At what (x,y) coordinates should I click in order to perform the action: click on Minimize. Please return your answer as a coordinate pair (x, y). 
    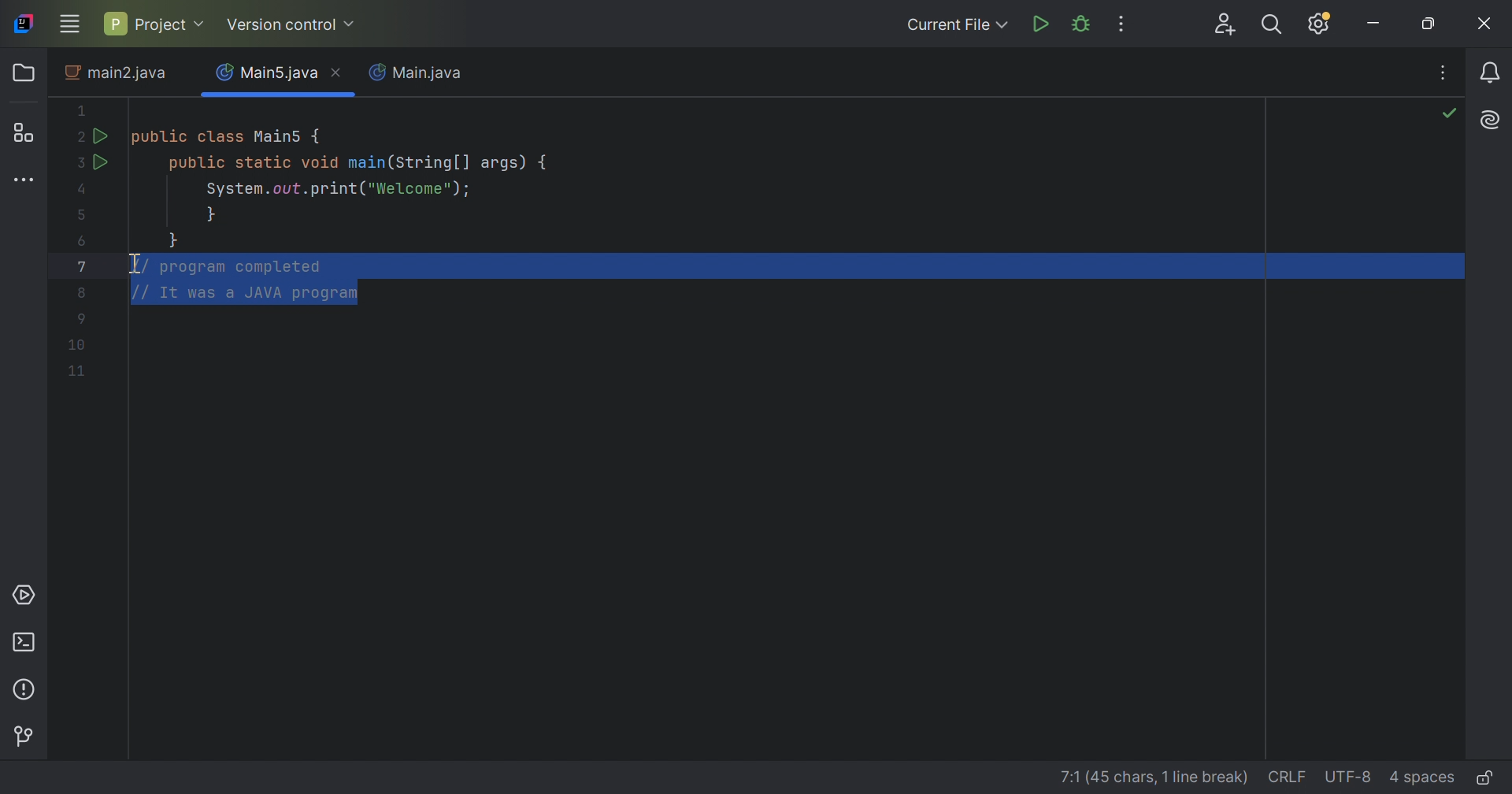
    Looking at the image, I should click on (1373, 28).